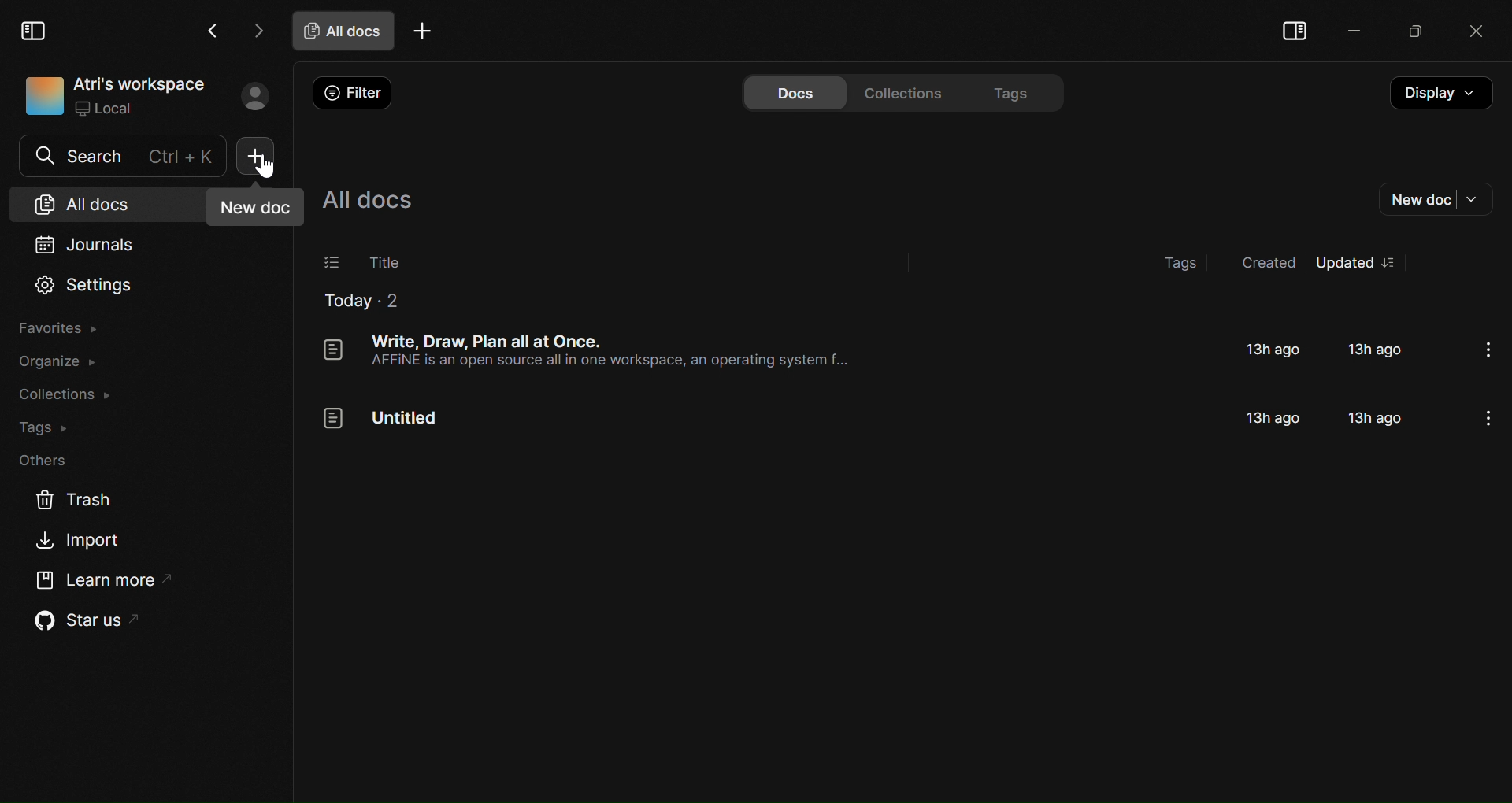 The width and height of the screenshot is (1512, 803). I want to click on AFFINE is an open source all in one workspace, an operating system f..., so click(607, 361).